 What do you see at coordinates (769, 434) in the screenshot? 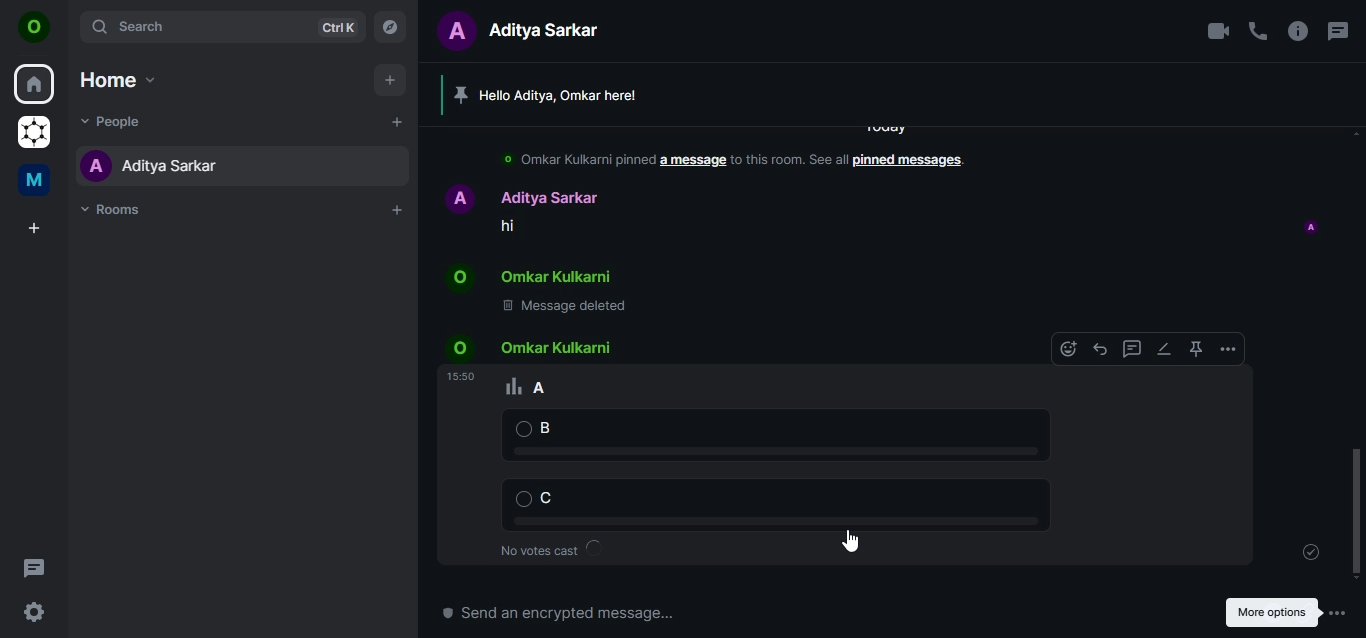
I see `B` at bounding box center [769, 434].